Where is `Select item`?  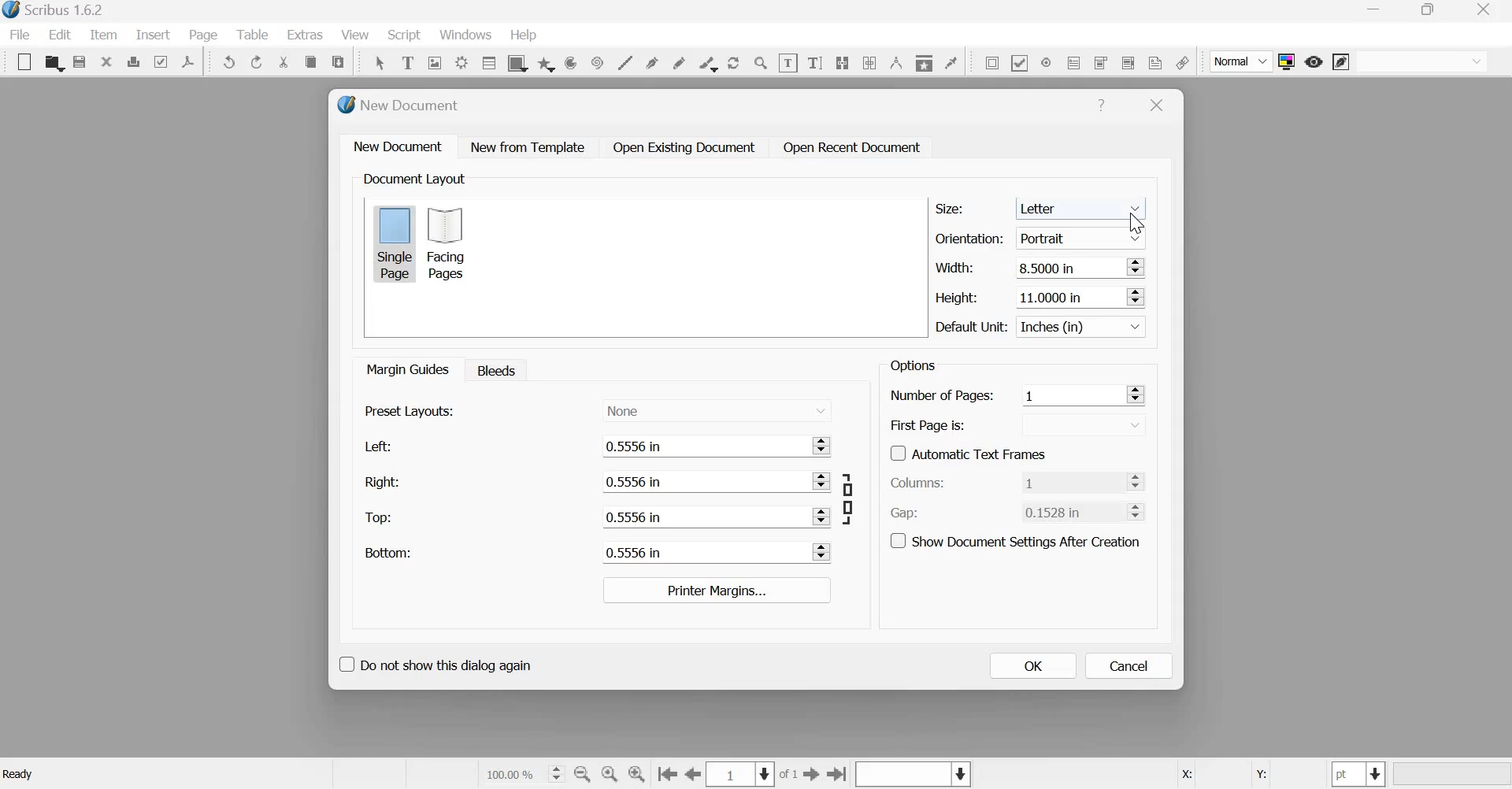
Select item is located at coordinates (380, 61).